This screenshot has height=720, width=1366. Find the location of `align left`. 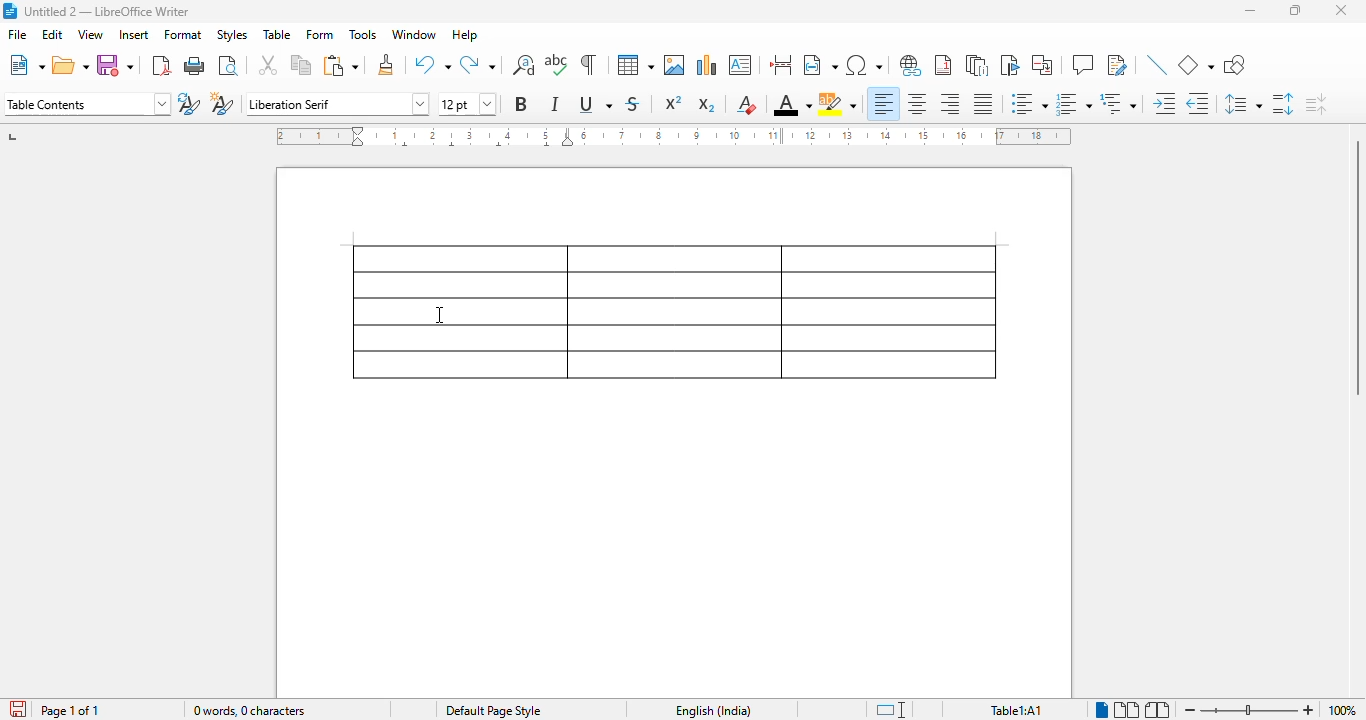

align left is located at coordinates (884, 102).